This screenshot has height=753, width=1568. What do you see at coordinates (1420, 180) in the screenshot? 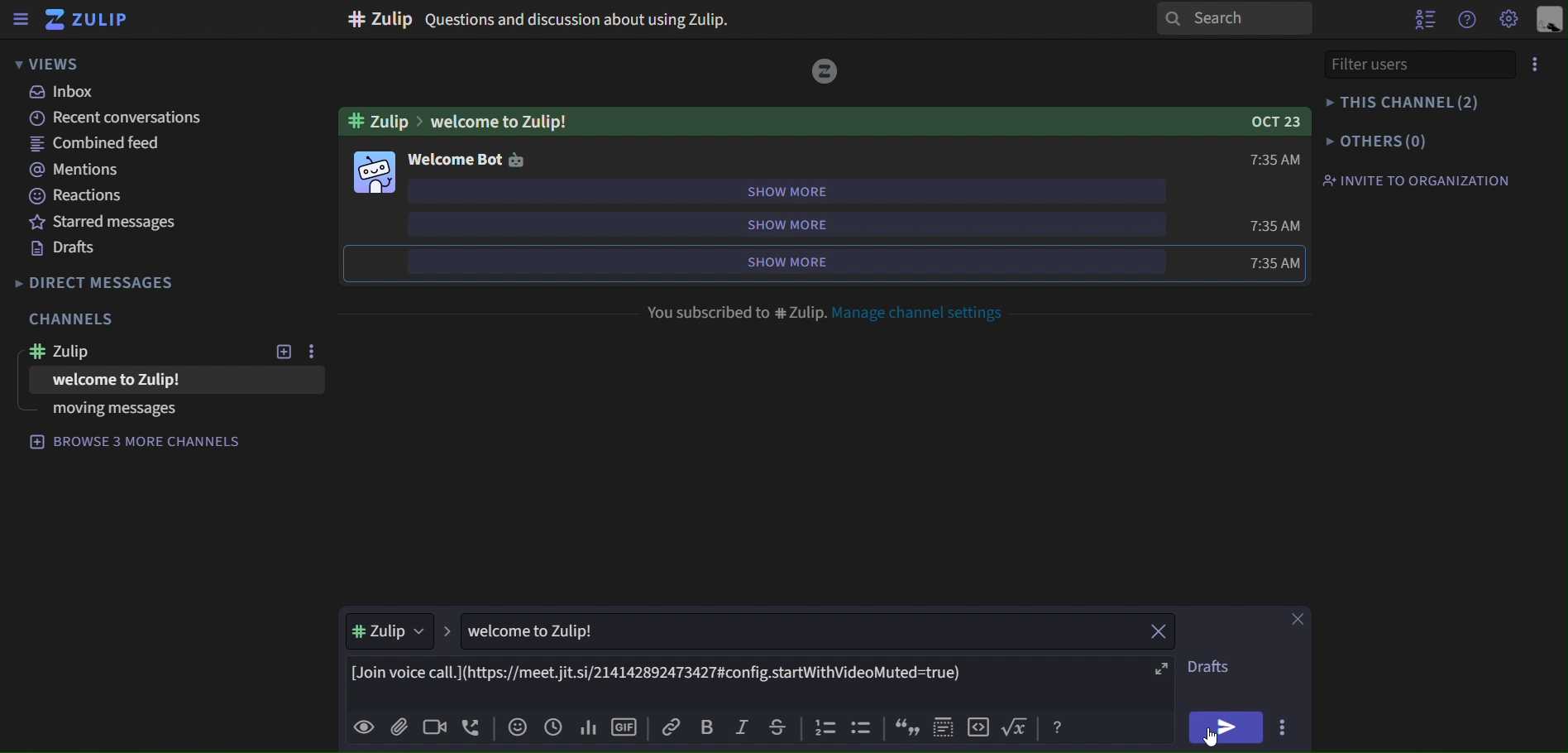
I see `invite to organization` at bounding box center [1420, 180].